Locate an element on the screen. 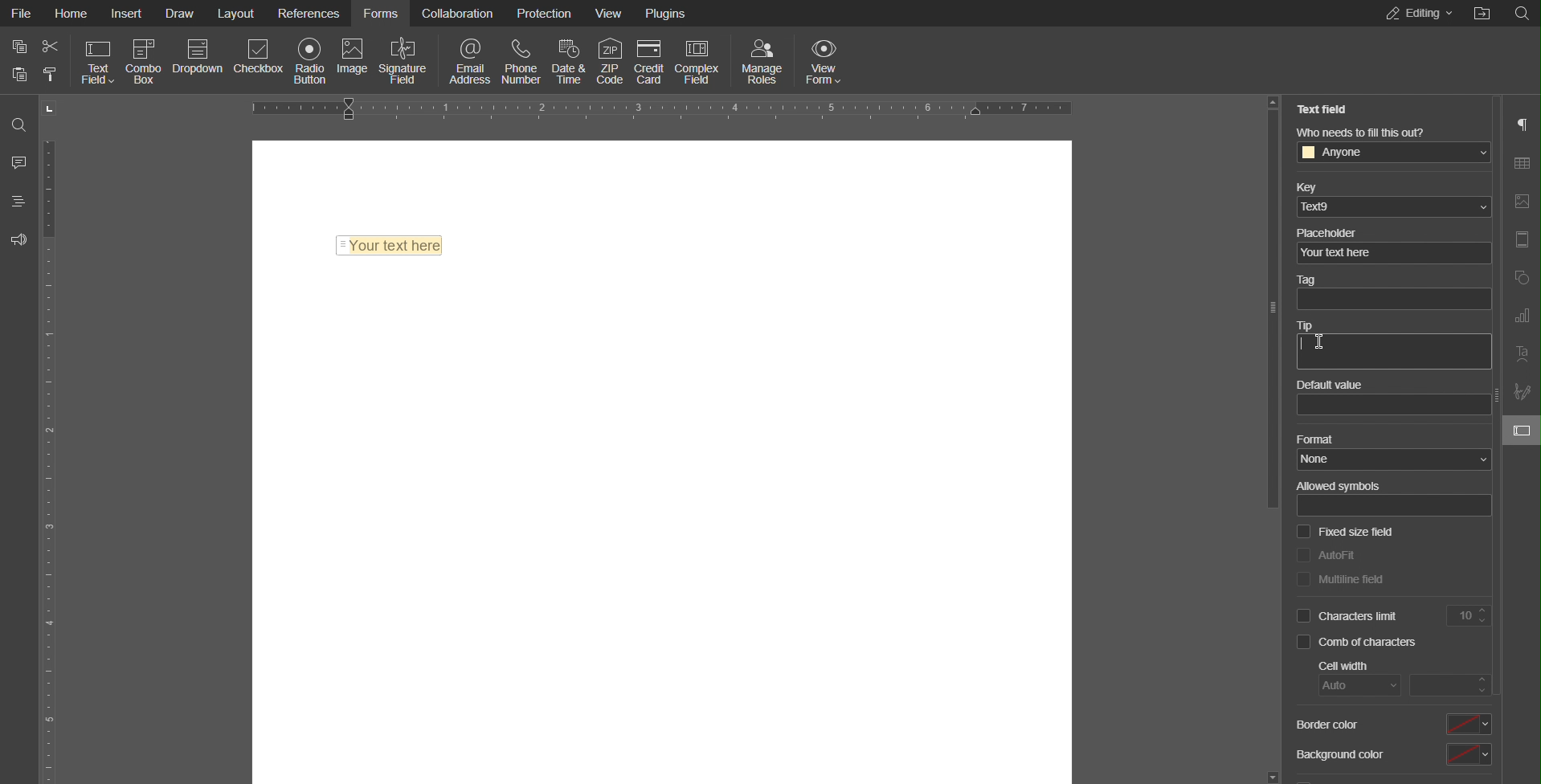  checkbox is located at coordinates (1303, 616).